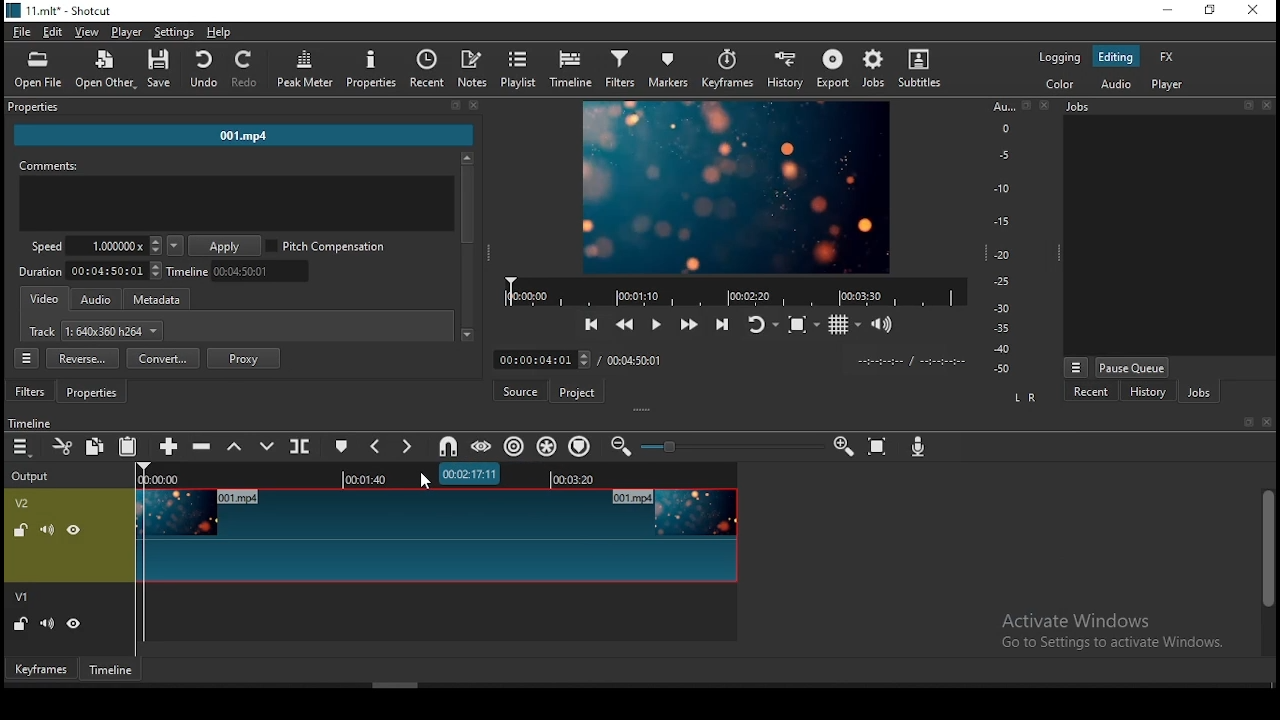 This screenshot has width=1280, height=720. I want to click on file, so click(20, 31).